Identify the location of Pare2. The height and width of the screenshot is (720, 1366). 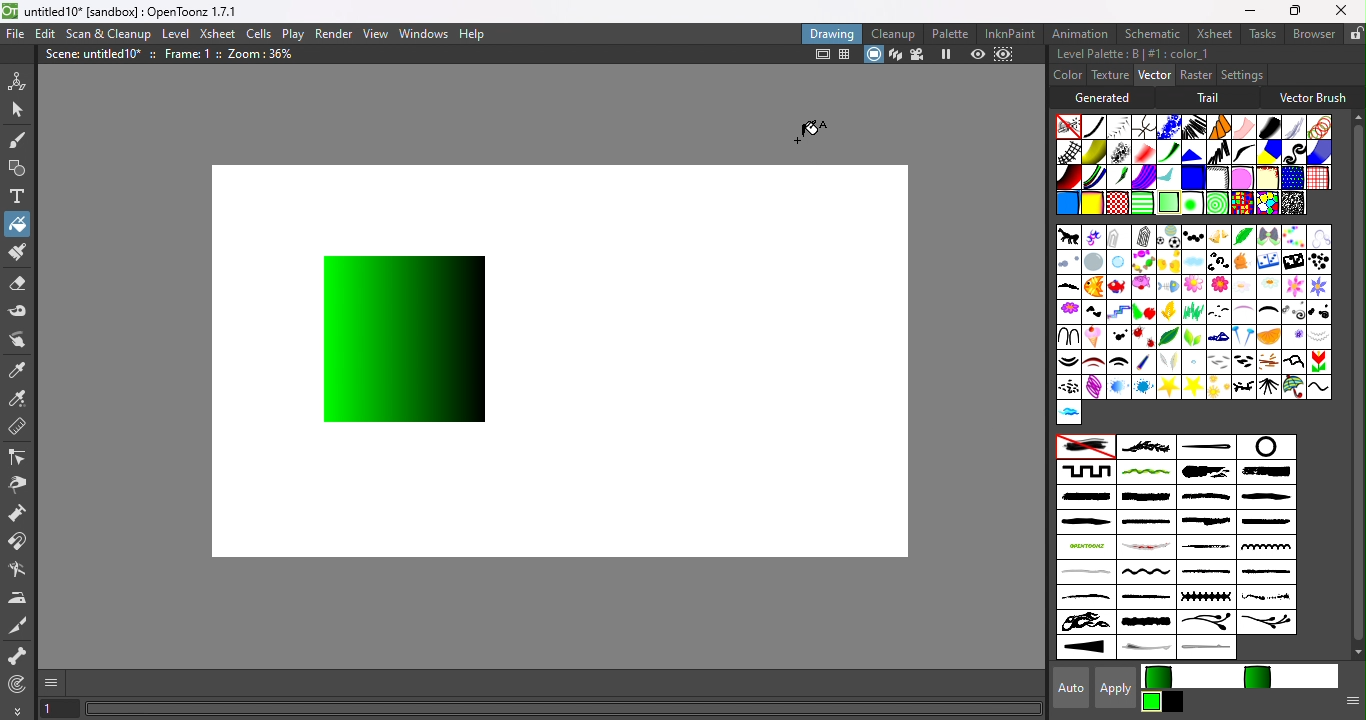
(1093, 362).